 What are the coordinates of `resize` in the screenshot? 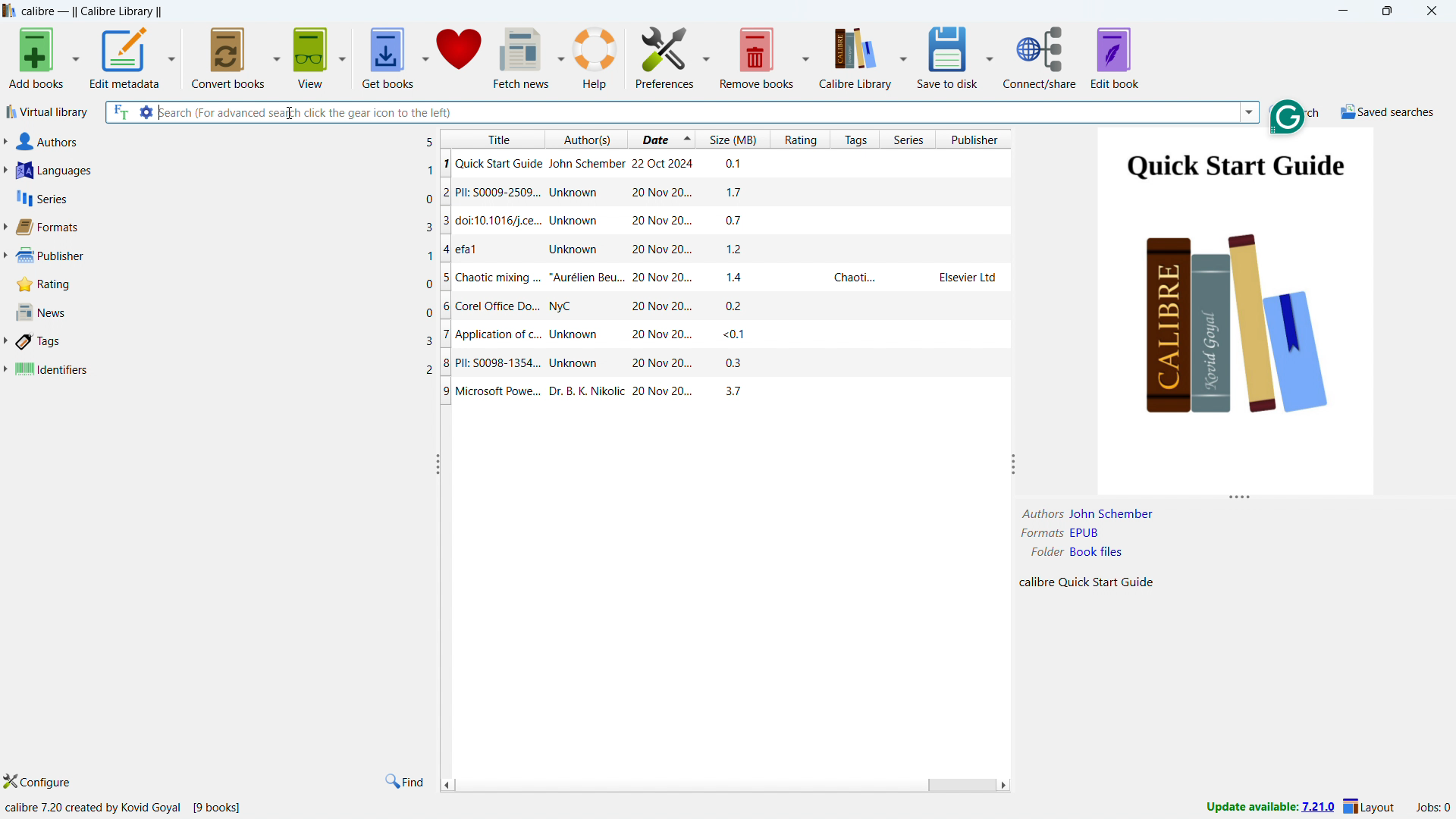 It's located at (1013, 465).